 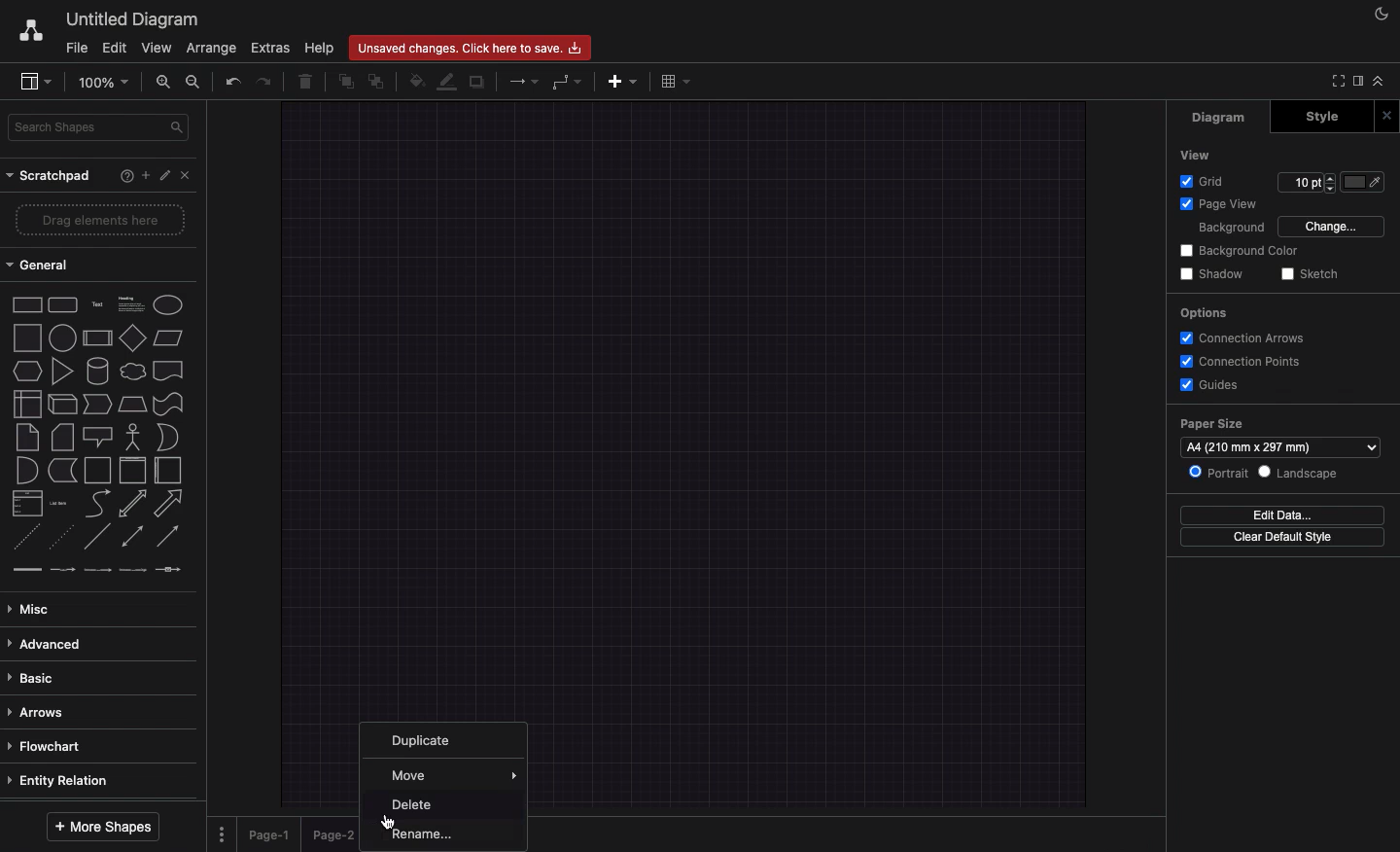 What do you see at coordinates (1201, 182) in the screenshot?
I see `Grid` at bounding box center [1201, 182].